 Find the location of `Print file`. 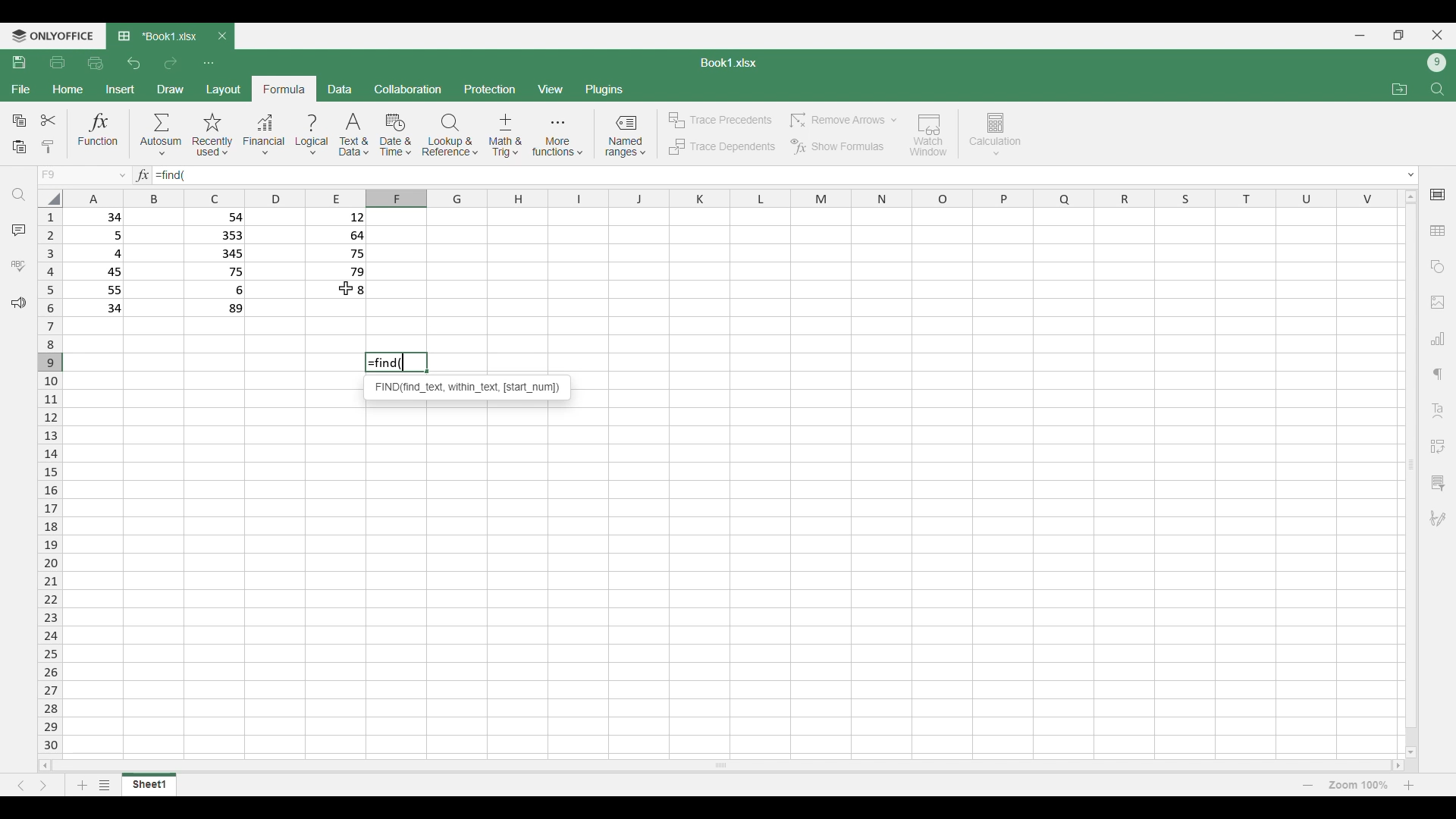

Print file is located at coordinates (58, 63).